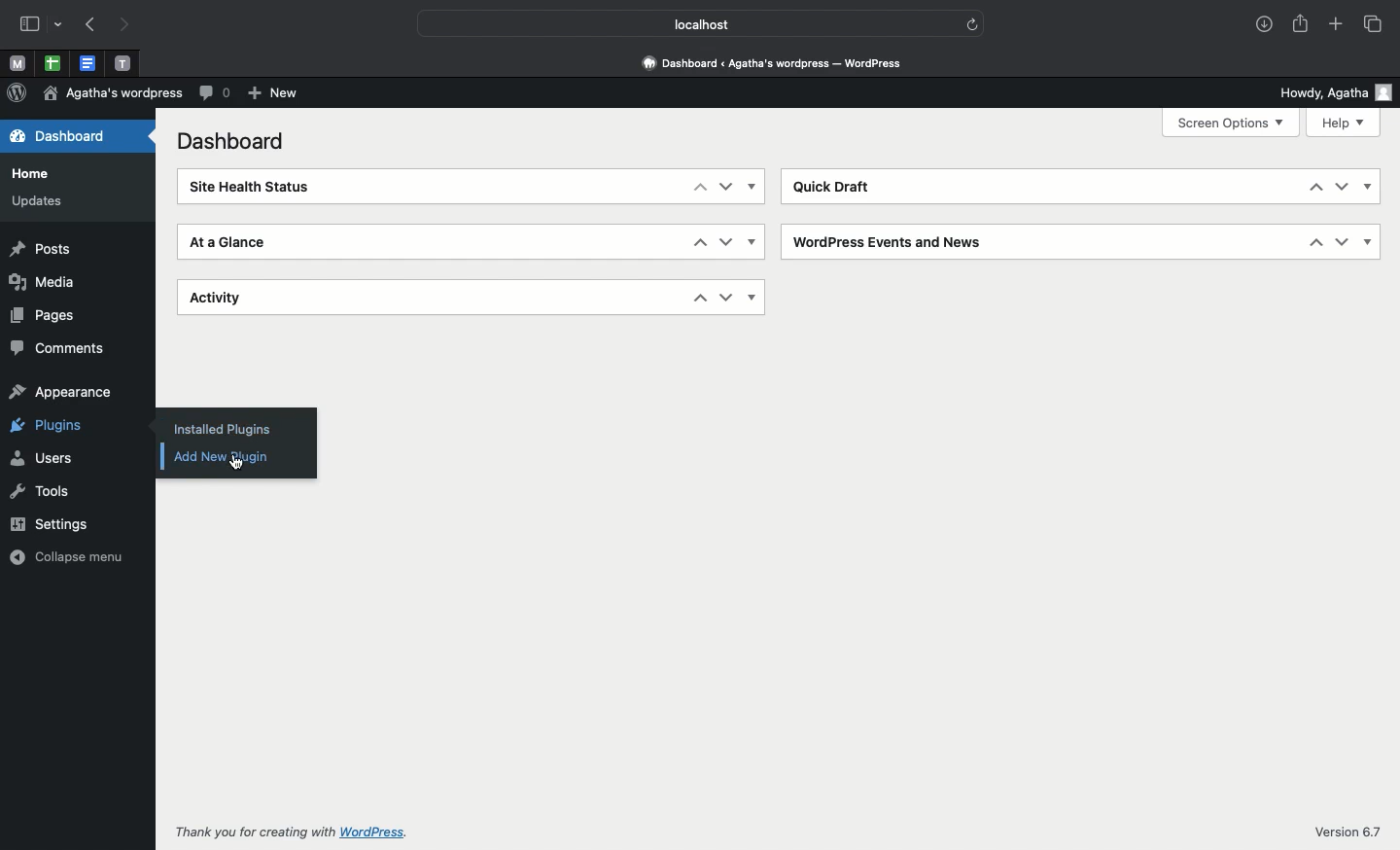  What do you see at coordinates (1336, 24) in the screenshot?
I see `Add new tab` at bounding box center [1336, 24].